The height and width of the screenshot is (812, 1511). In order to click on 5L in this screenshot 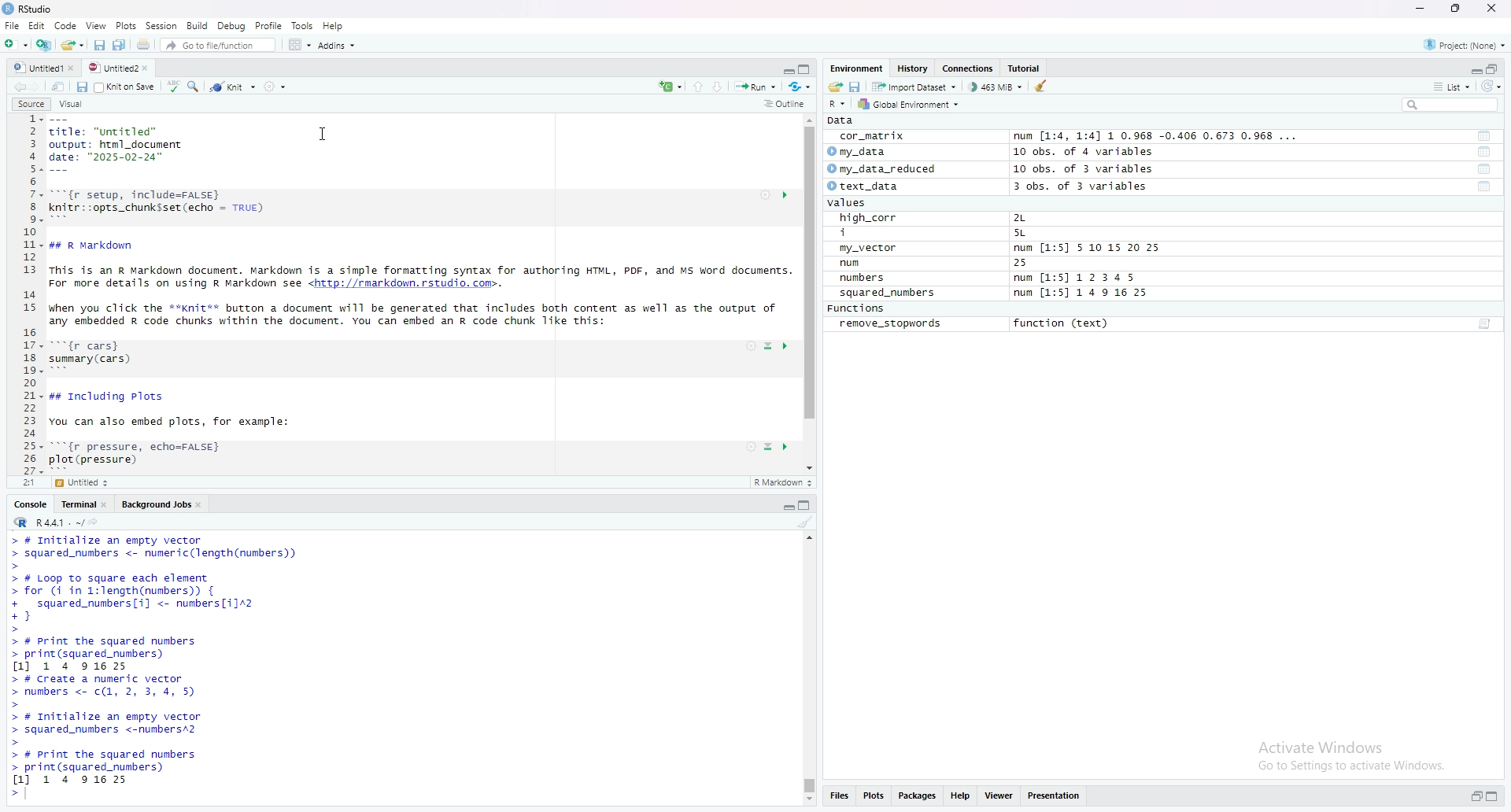, I will do `click(1036, 232)`.